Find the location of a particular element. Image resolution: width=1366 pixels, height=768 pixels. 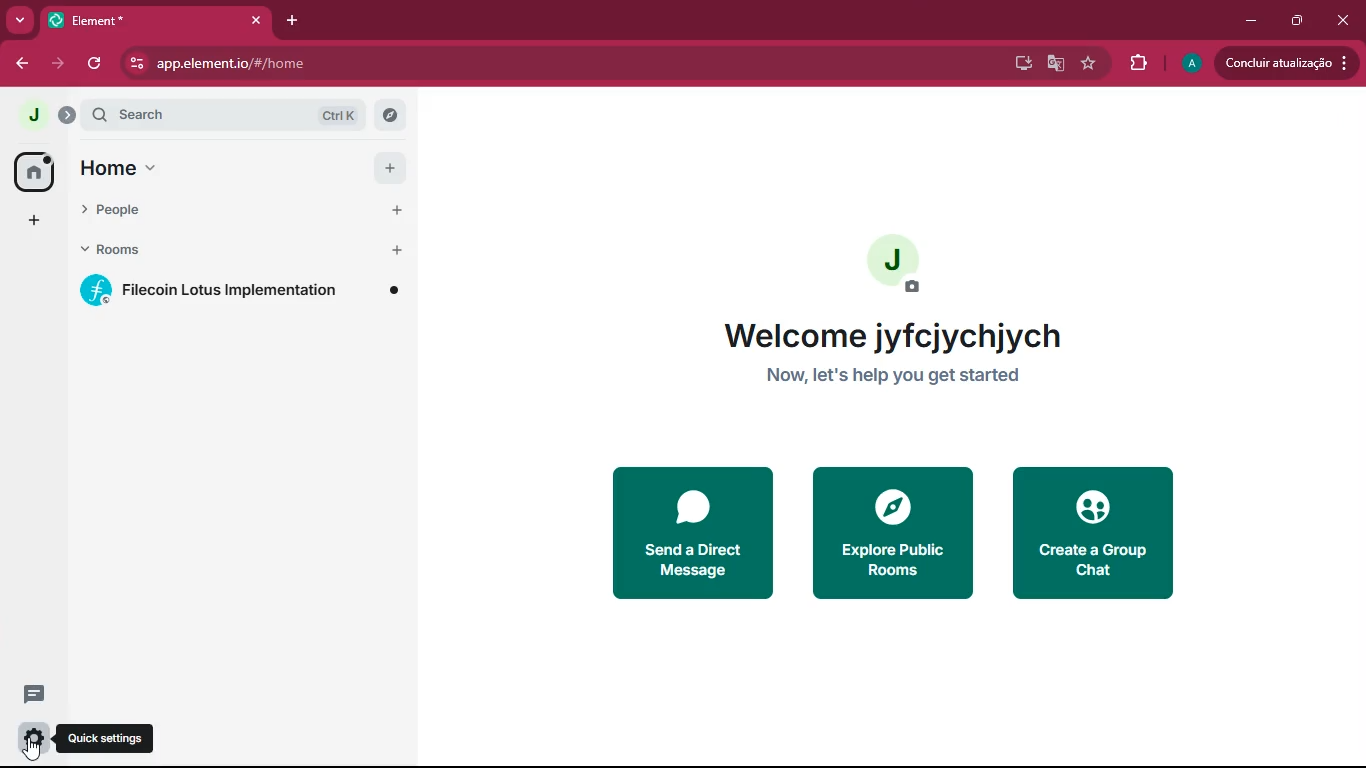

more is located at coordinates (19, 20).